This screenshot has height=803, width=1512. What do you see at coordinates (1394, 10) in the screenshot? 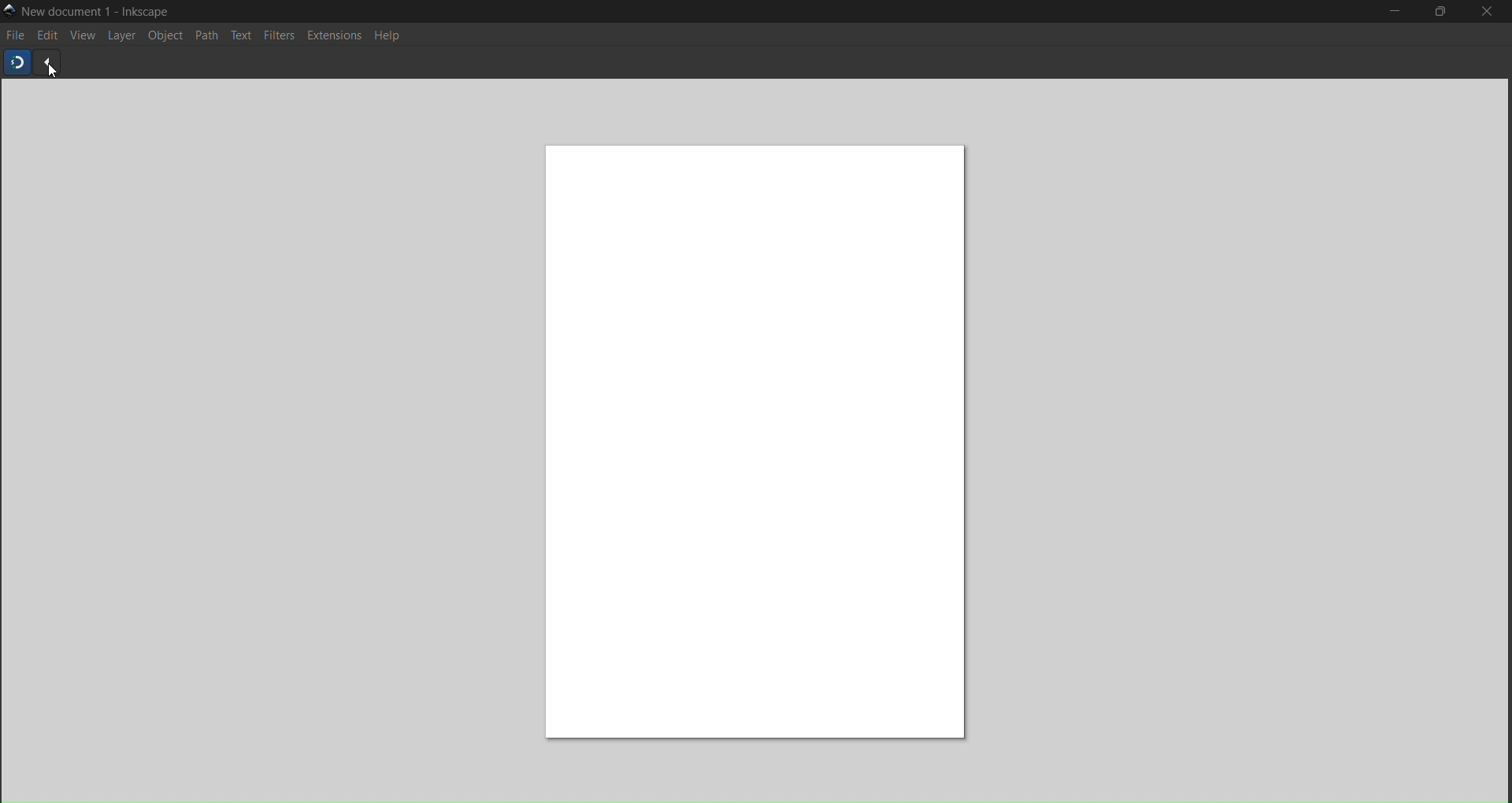
I see `minimize` at bounding box center [1394, 10].